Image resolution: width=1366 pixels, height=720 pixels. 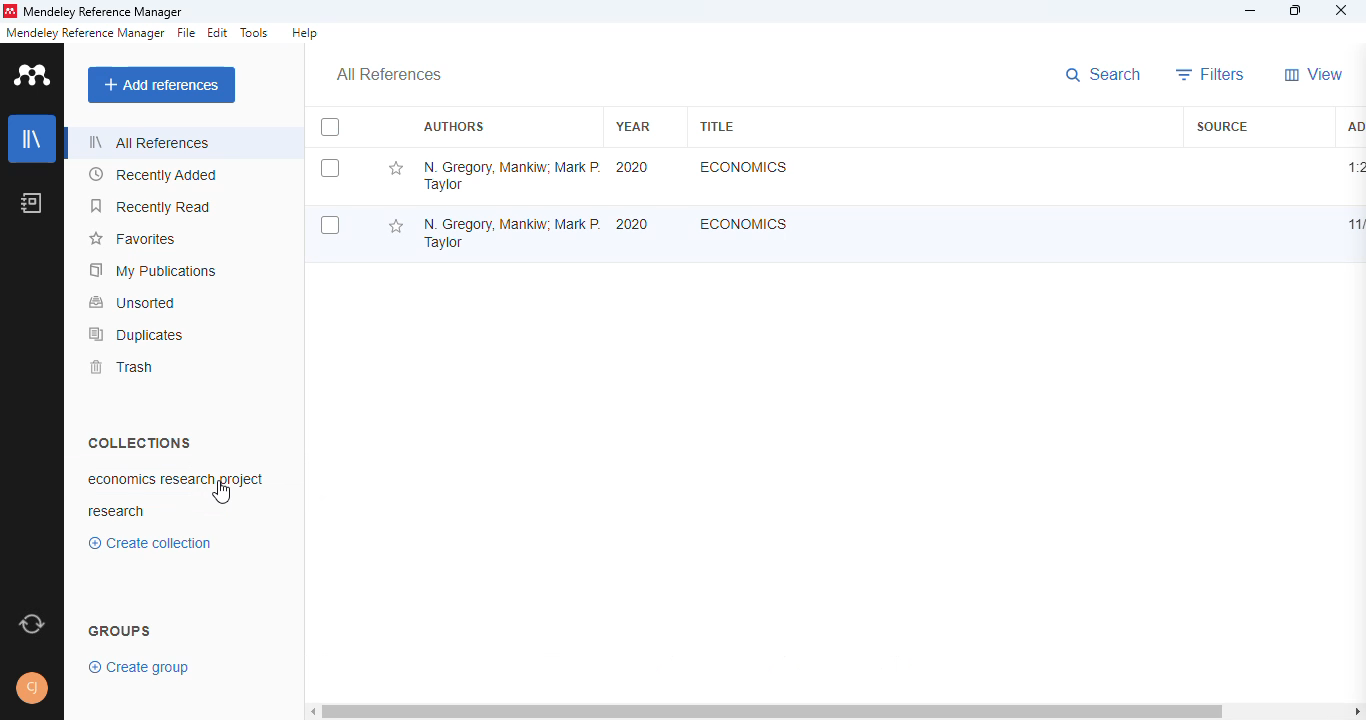 What do you see at coordinates (1353, 225) in the screenshot?
I see `11/` at bounding box center [1353, 225].